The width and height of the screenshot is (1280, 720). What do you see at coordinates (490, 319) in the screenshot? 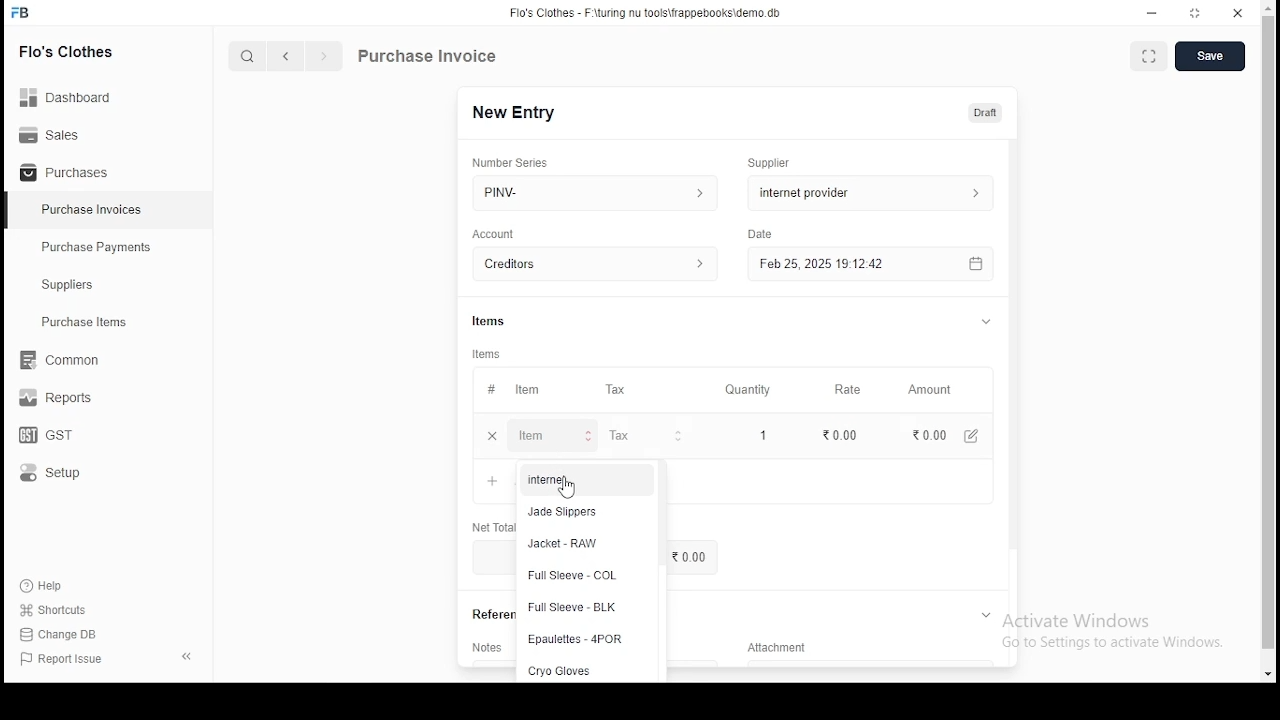
I see `Items` at bounding box center [490, 319].